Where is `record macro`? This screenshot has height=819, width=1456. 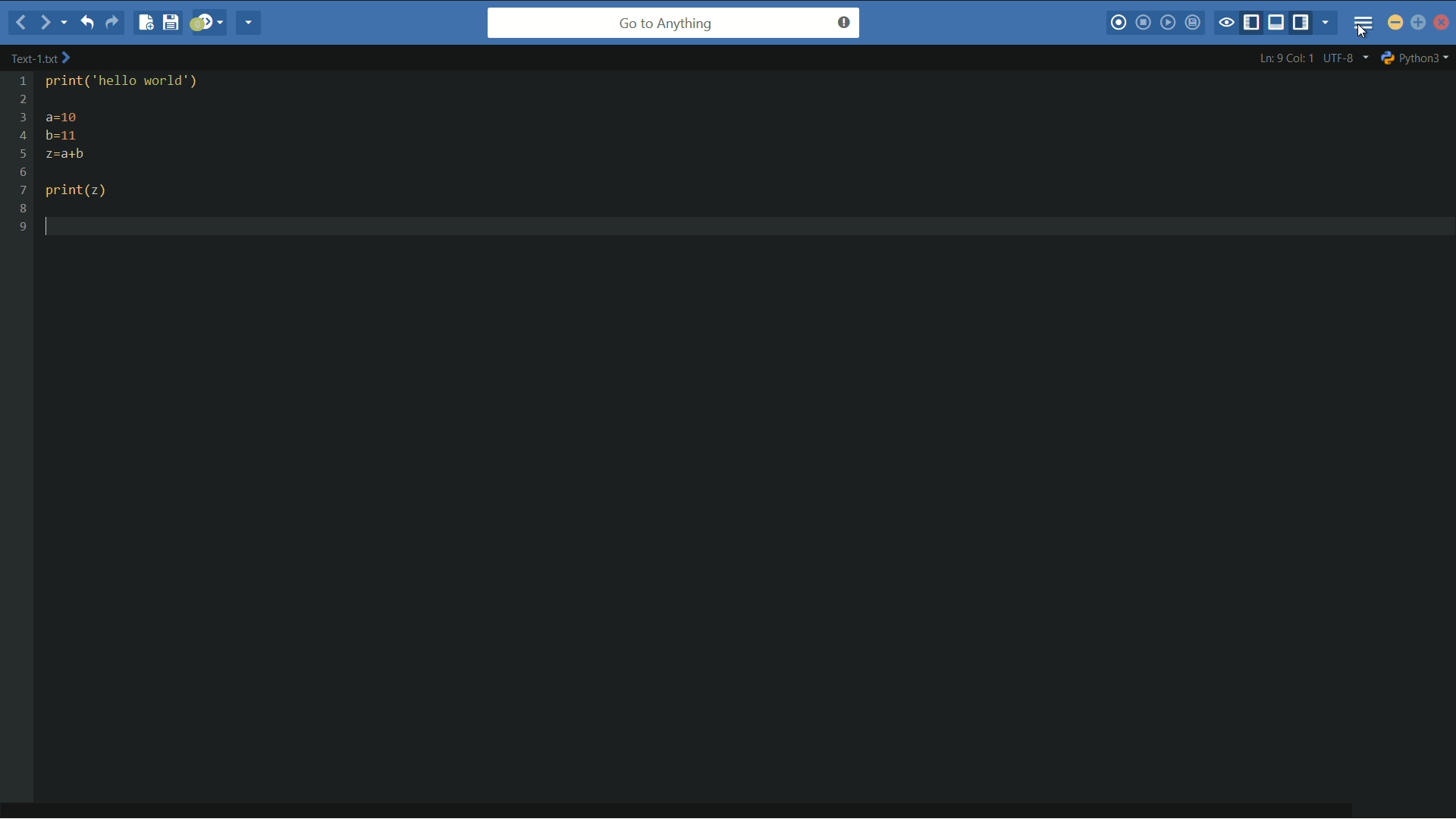 record macro is located at coordinates (1120, 22).